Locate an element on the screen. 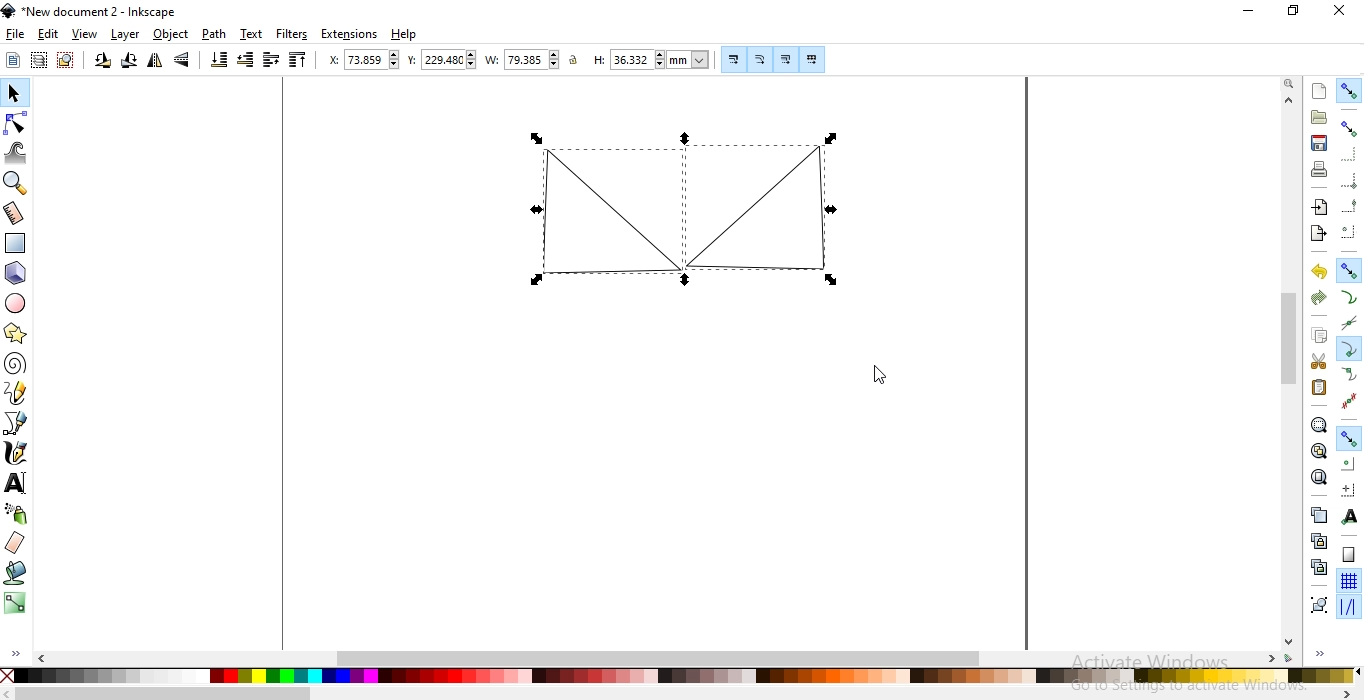  snap bounding box corners is located at coordinates (1349, 180).